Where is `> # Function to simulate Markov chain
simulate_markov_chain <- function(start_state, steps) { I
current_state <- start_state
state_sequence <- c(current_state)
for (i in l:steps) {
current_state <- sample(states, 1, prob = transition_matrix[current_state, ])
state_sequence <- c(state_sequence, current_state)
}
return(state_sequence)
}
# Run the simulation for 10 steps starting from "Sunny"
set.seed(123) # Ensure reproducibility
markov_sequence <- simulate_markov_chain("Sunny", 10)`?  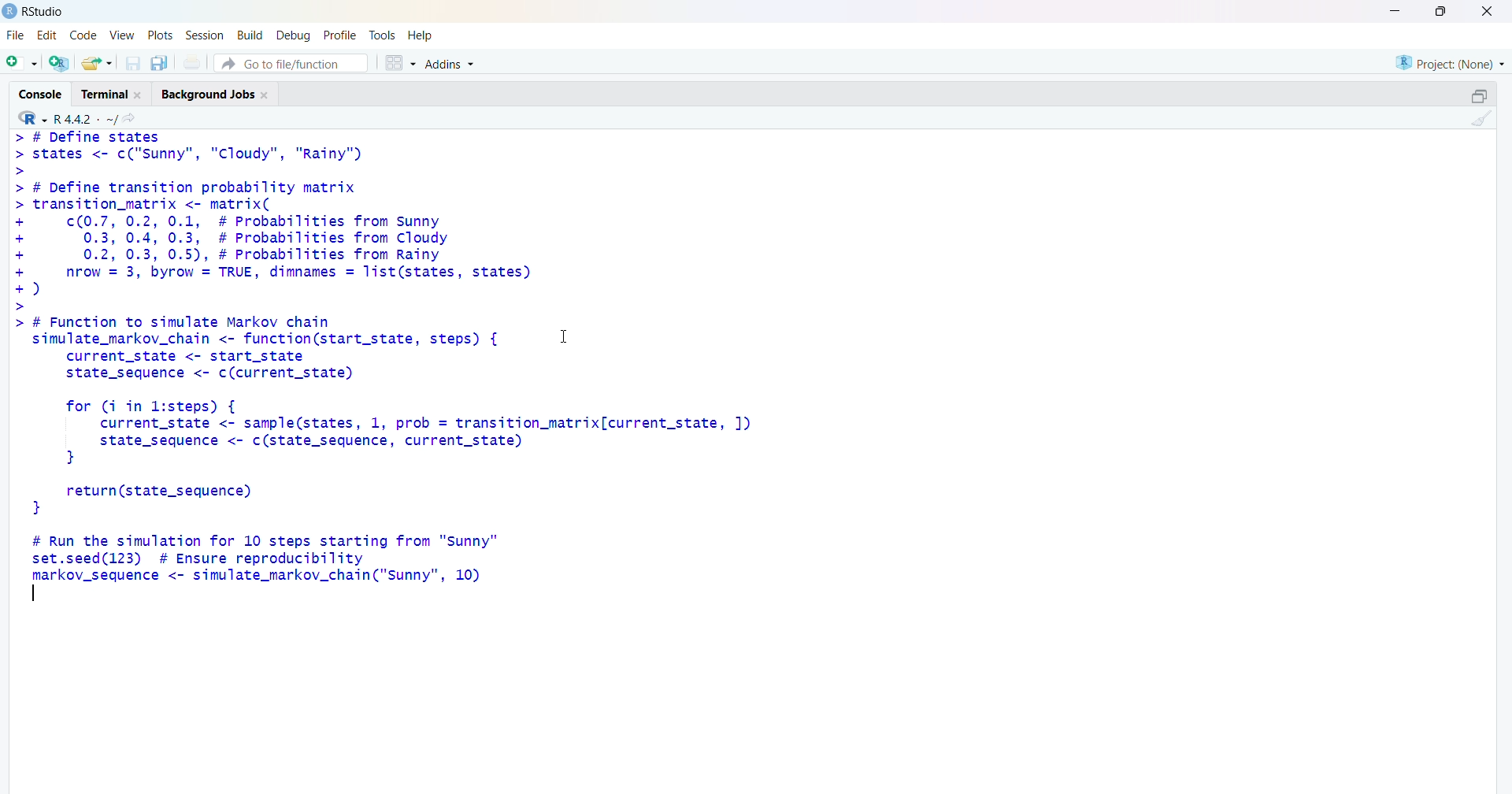
> # Function to simulate Markov chain
simulate_markov_chain <- function(start_state, steps) { I
current_state <- start_state
state_sequence <- c(current_state)
for (i in l:steps) {
current_state <- sample(states, 1, prob = transition_matrix[current_state, ])
state_sequence <- c(state_sequence, current_state)
}
return(state_sequence)
}
# Run the simulation for 10 steps starting from "Sunny"
set.seed(123) # Ensure reproducibility
markov_sequence <- simulate_markov_chain("Sunny", 10) is located at coordinates (424, 460).